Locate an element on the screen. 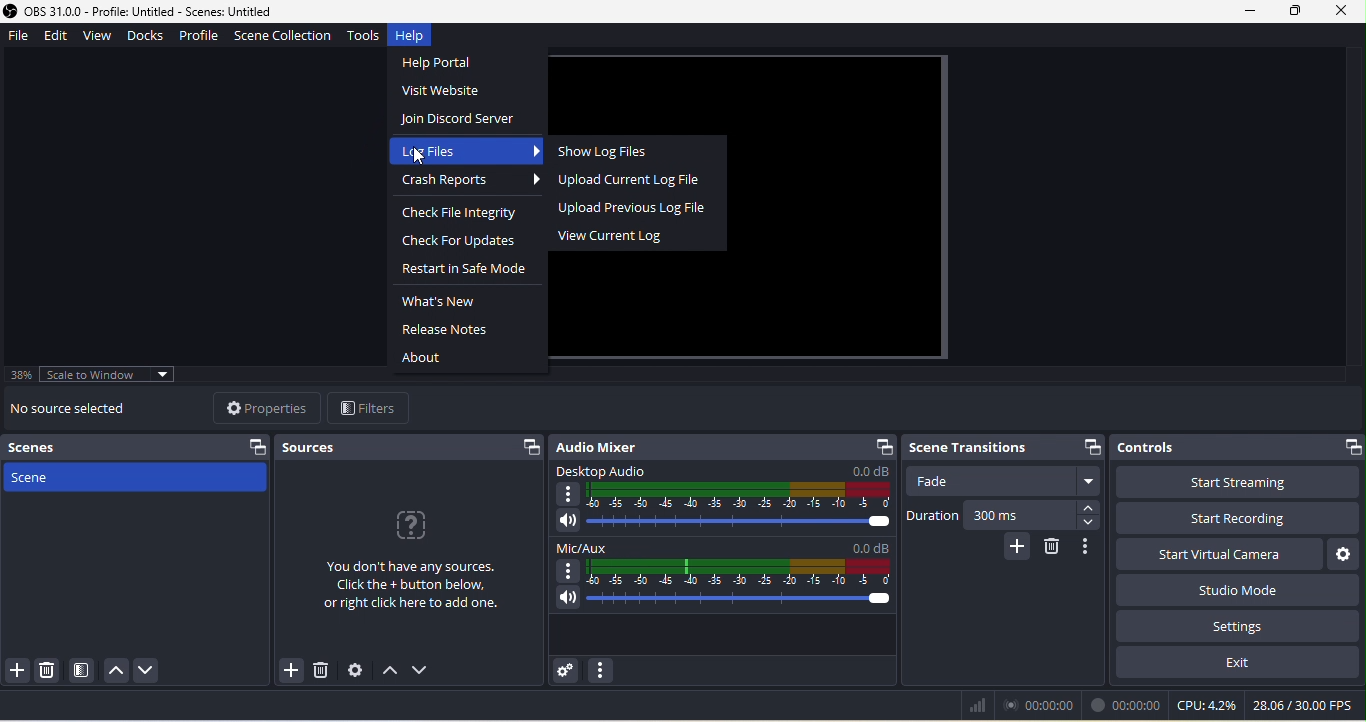 This screenshot has height=722, width=1366. remove selected scene is located at coordinates (51, 670).